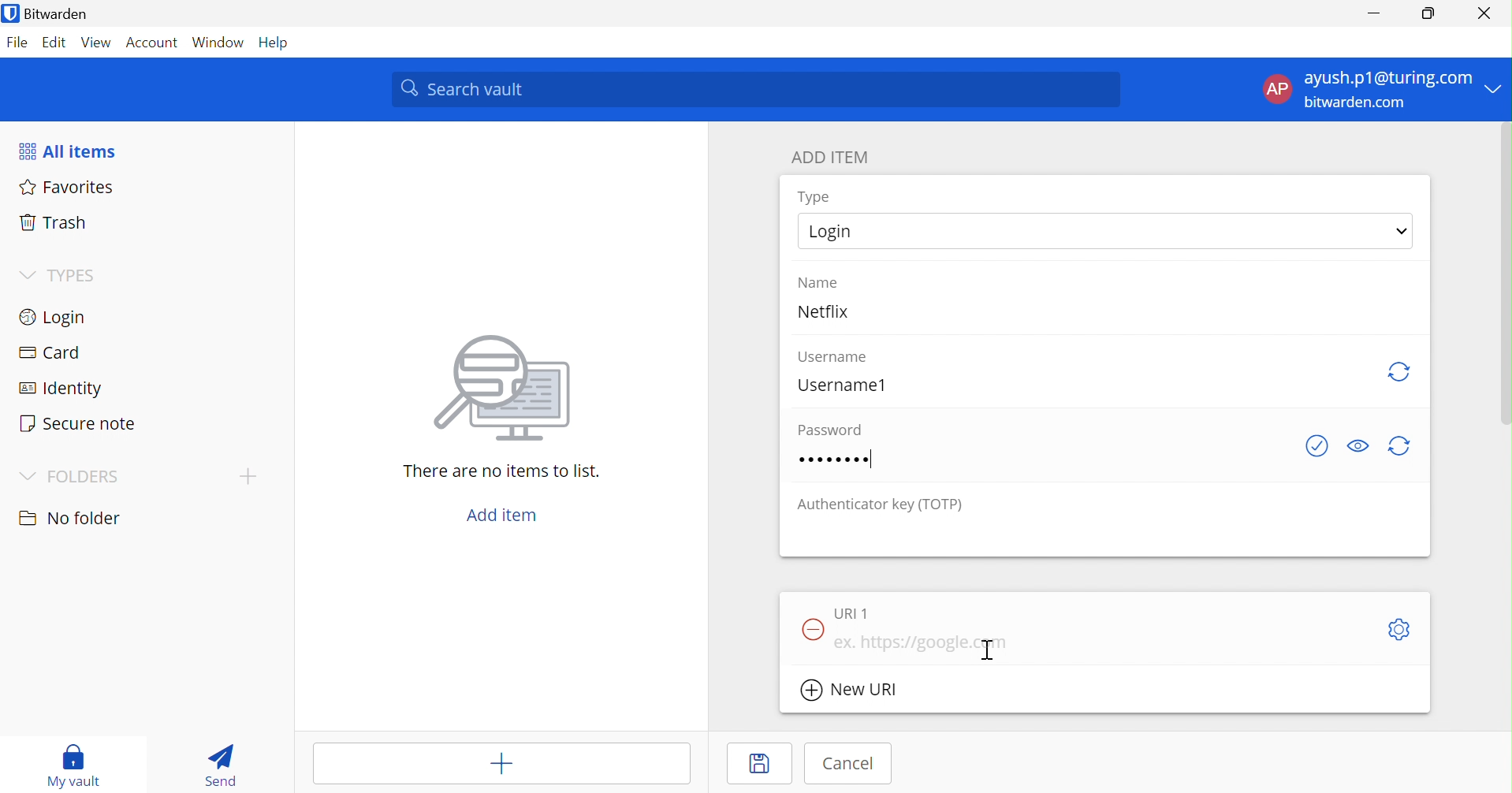  What do you see at coordinates (851, 689) in the screenshot?
I see `New URl` at bounding box center [851, 689].